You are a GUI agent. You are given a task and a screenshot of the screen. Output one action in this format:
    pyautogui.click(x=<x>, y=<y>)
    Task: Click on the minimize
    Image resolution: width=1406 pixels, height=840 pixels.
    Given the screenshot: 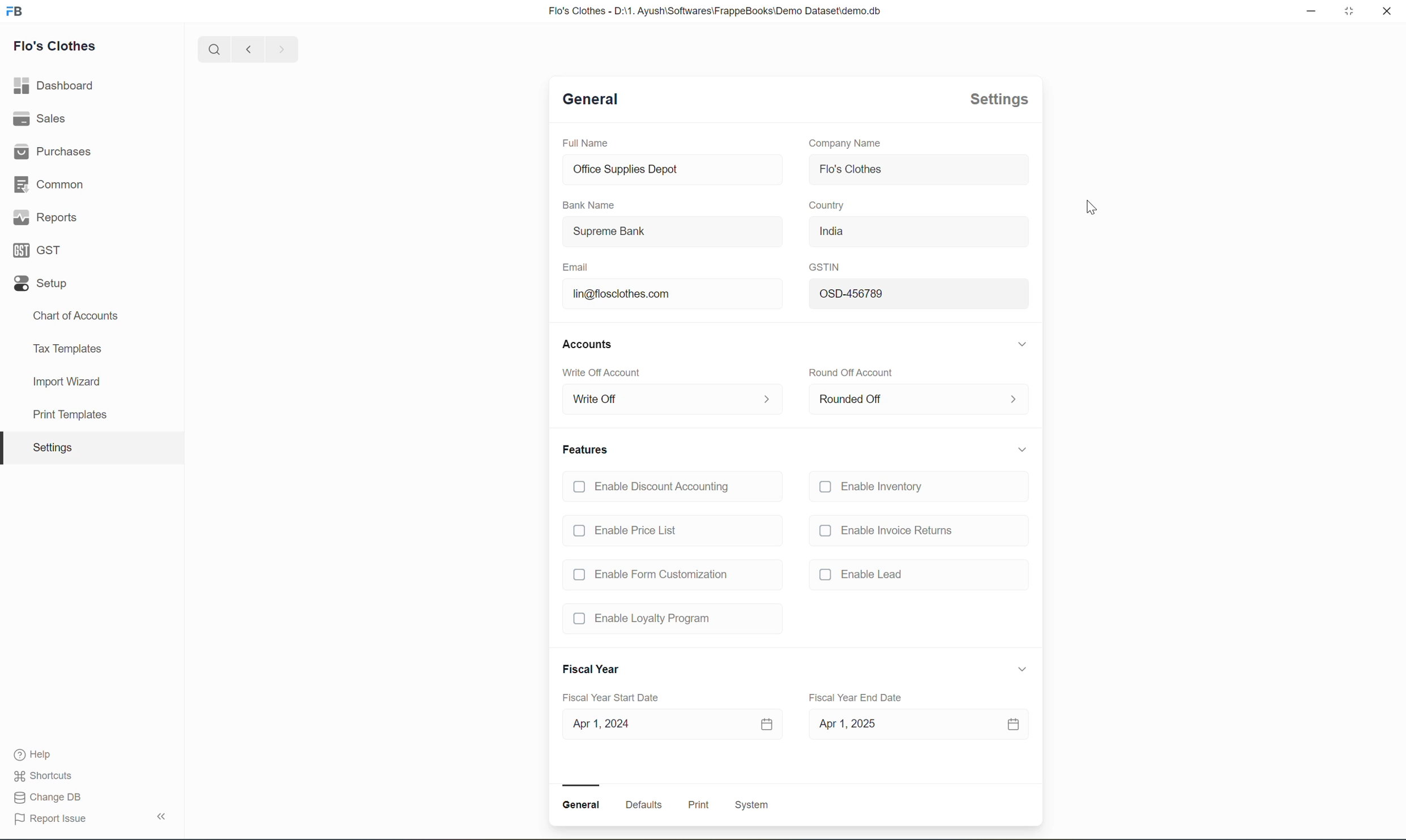 What is the action you would take?
    pyautogui.click(x=1311, y=11)
    